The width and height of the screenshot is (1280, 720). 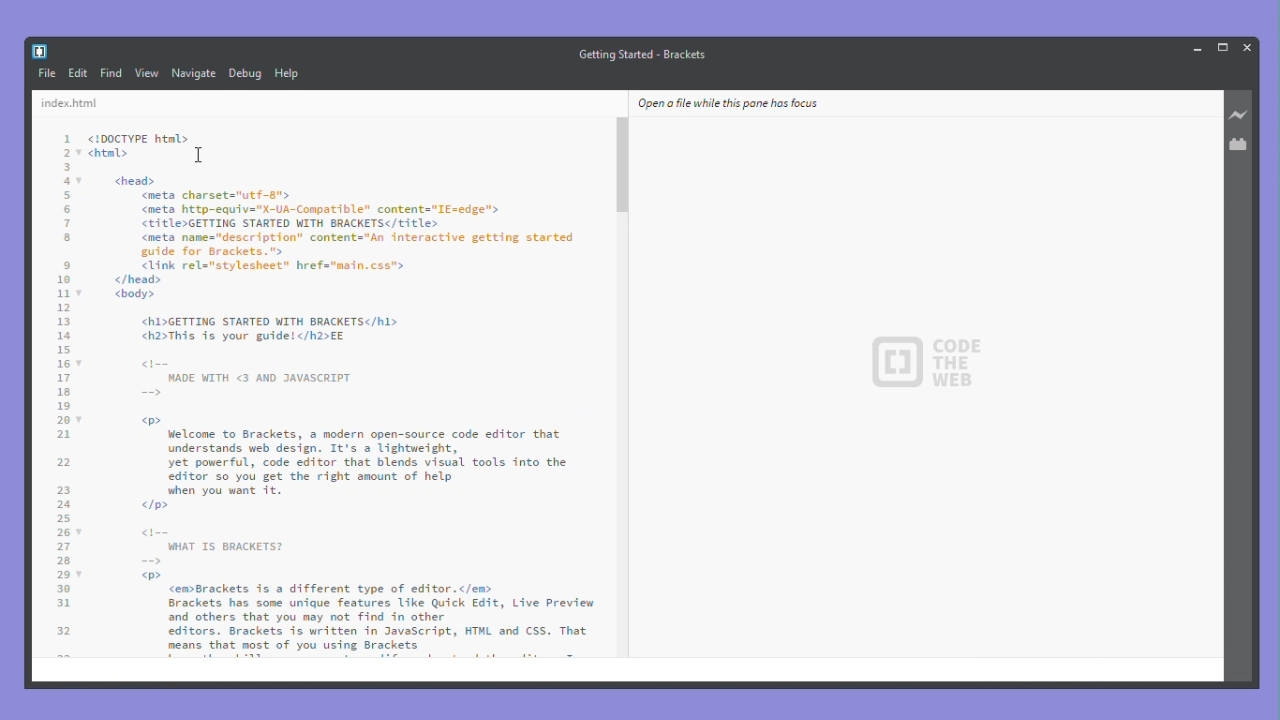 I want to click on 2, so click(x=65, y=154).